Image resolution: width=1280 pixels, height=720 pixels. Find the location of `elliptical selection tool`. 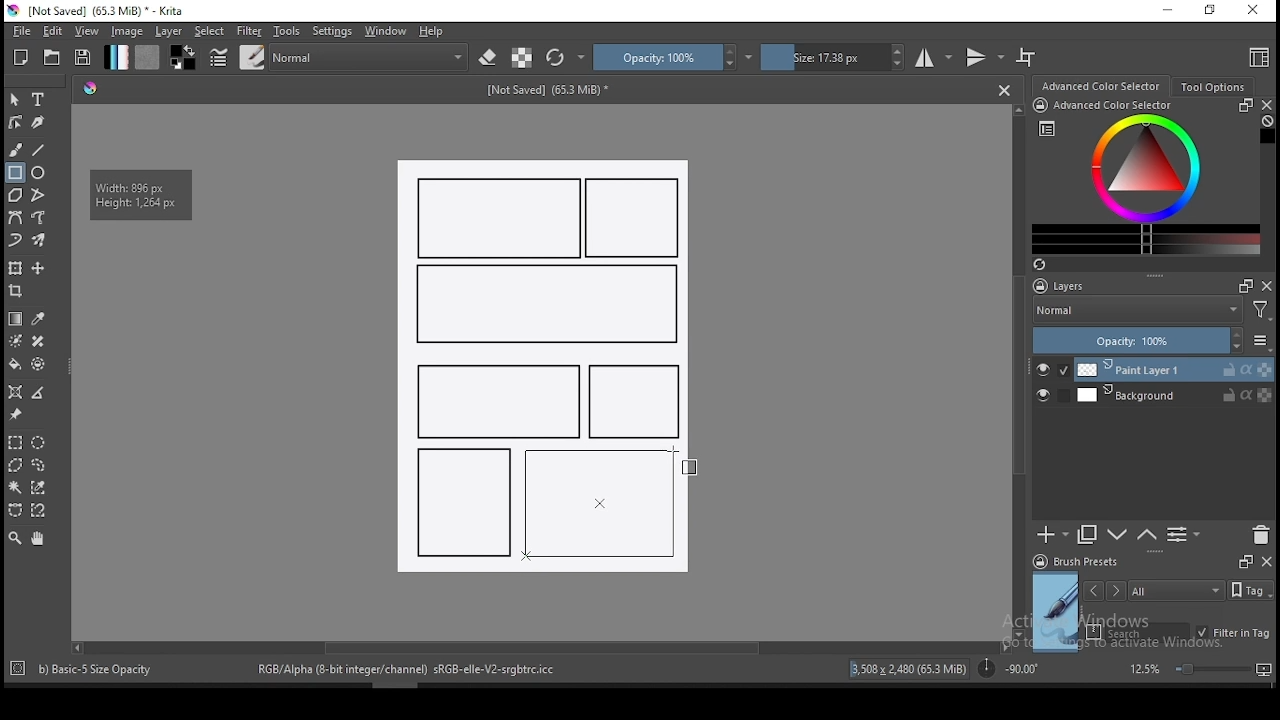

elliptical selection tool is located at coordinates (38, 443).